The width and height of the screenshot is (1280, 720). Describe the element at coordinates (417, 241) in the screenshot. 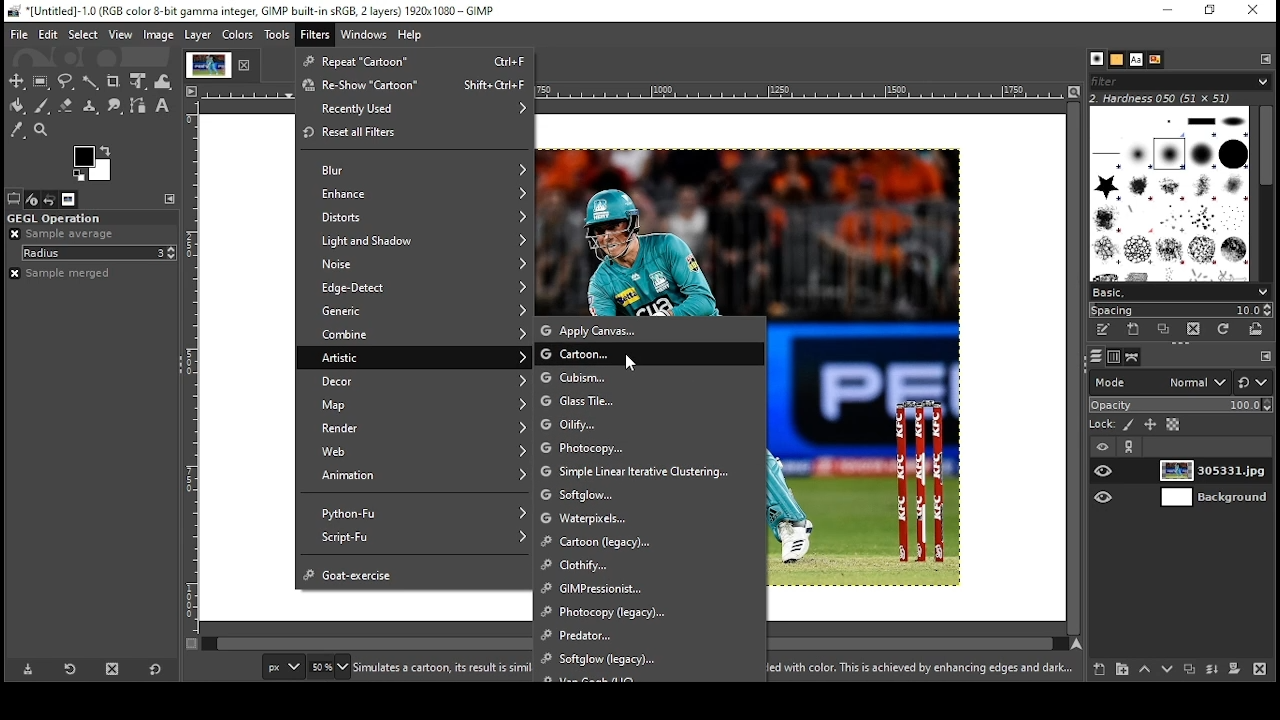

I see `light and shadow` at that location.